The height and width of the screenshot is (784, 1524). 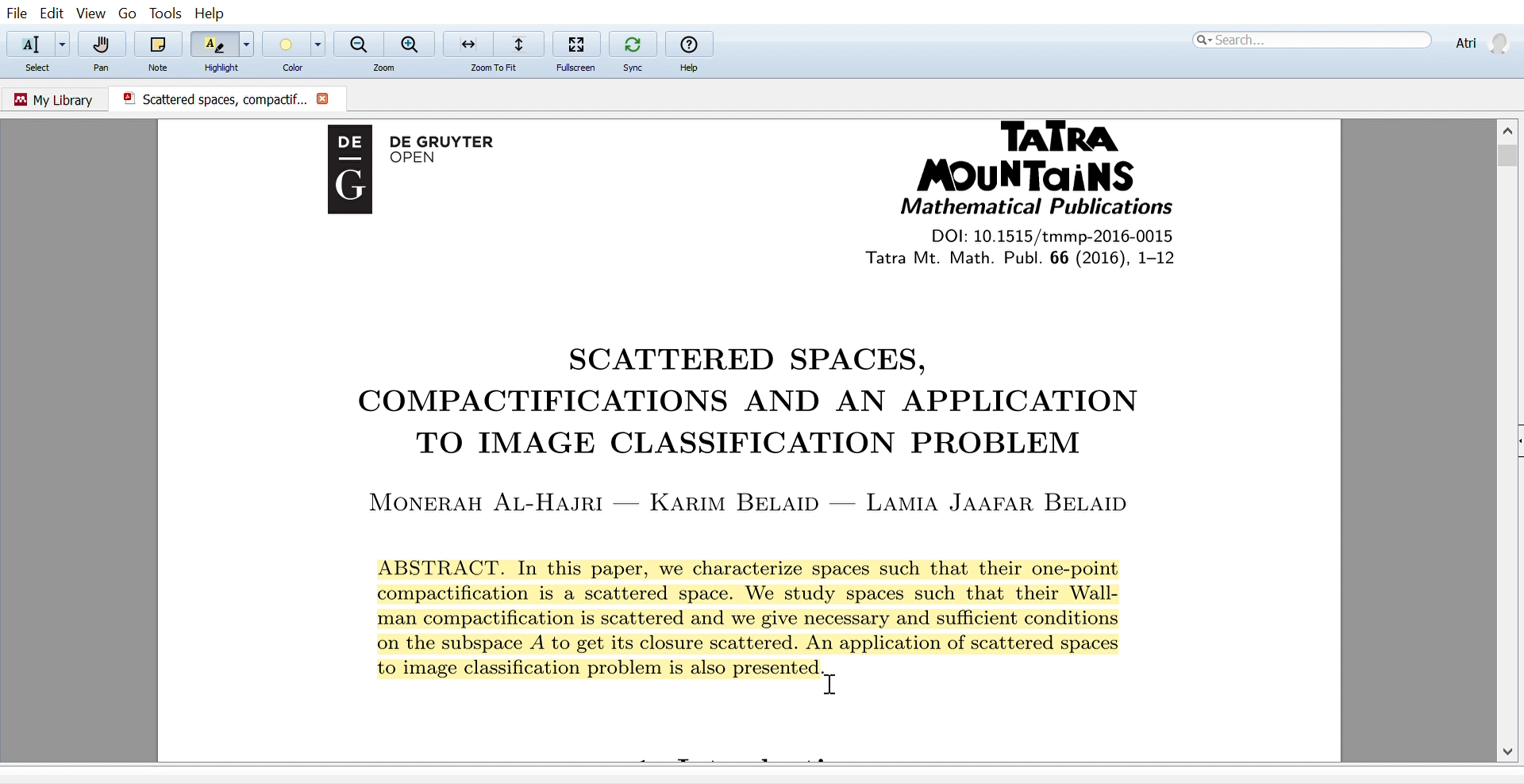 What do you see at coordinates (27, 44) in the screenshot?
I see `Select text` at bounding box center [27, 44].